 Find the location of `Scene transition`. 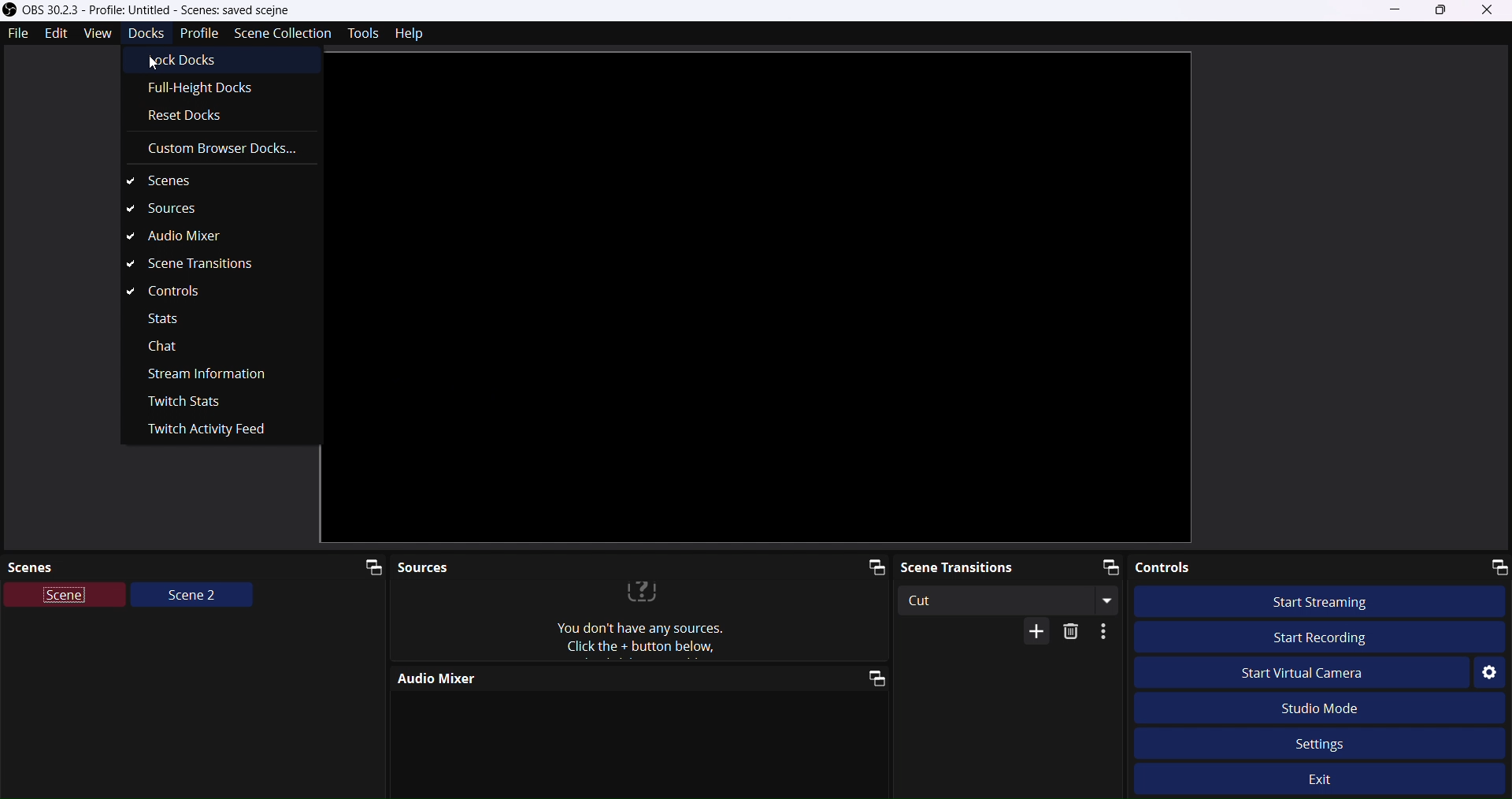

Scene transition is located at coordinates (981, 565).